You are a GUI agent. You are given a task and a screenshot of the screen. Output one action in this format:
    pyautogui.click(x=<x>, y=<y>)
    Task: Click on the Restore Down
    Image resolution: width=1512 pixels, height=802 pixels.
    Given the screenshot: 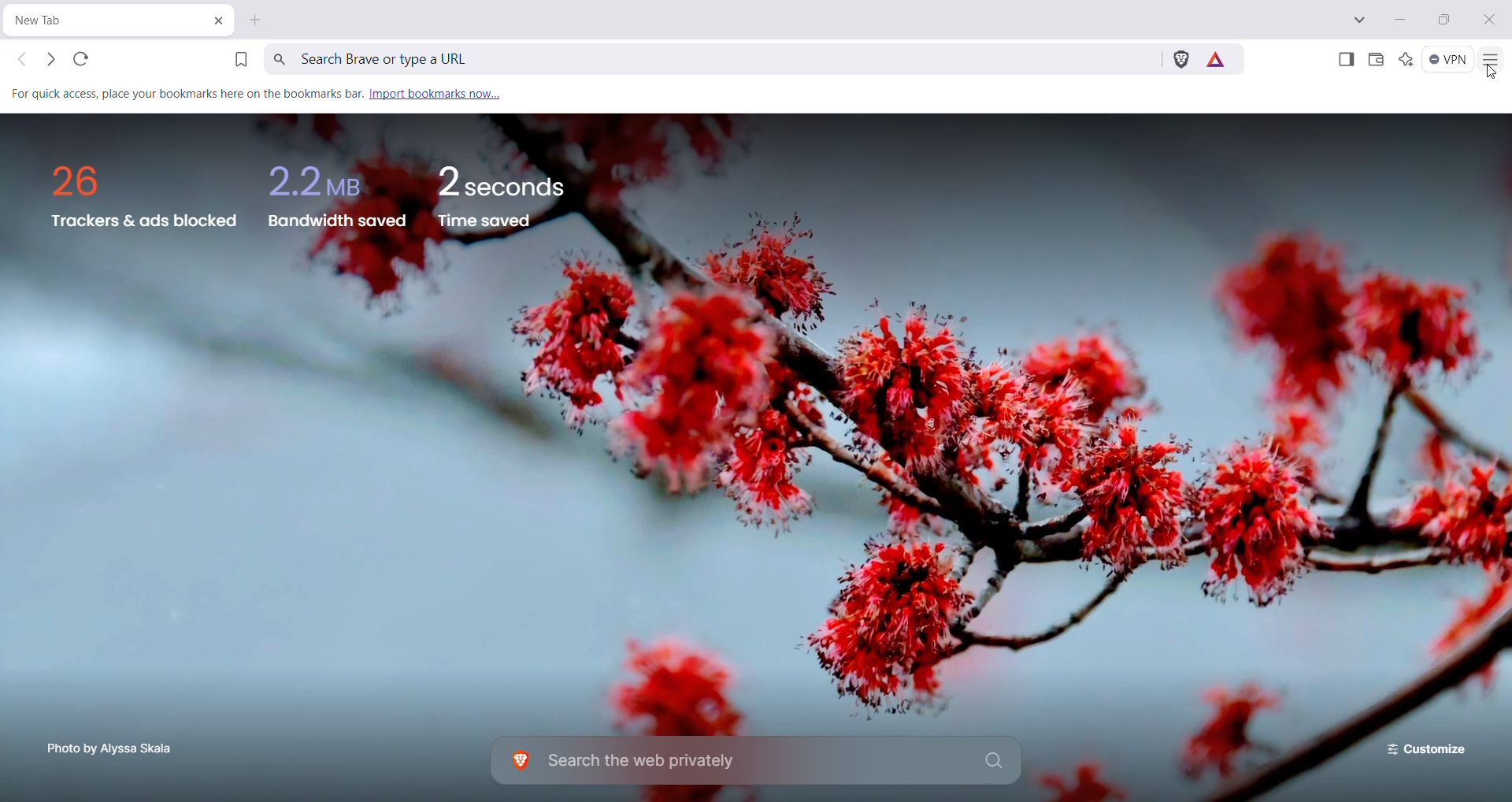 What is the action you would take?
    pyautogui.click(x=1443, y=21)
    